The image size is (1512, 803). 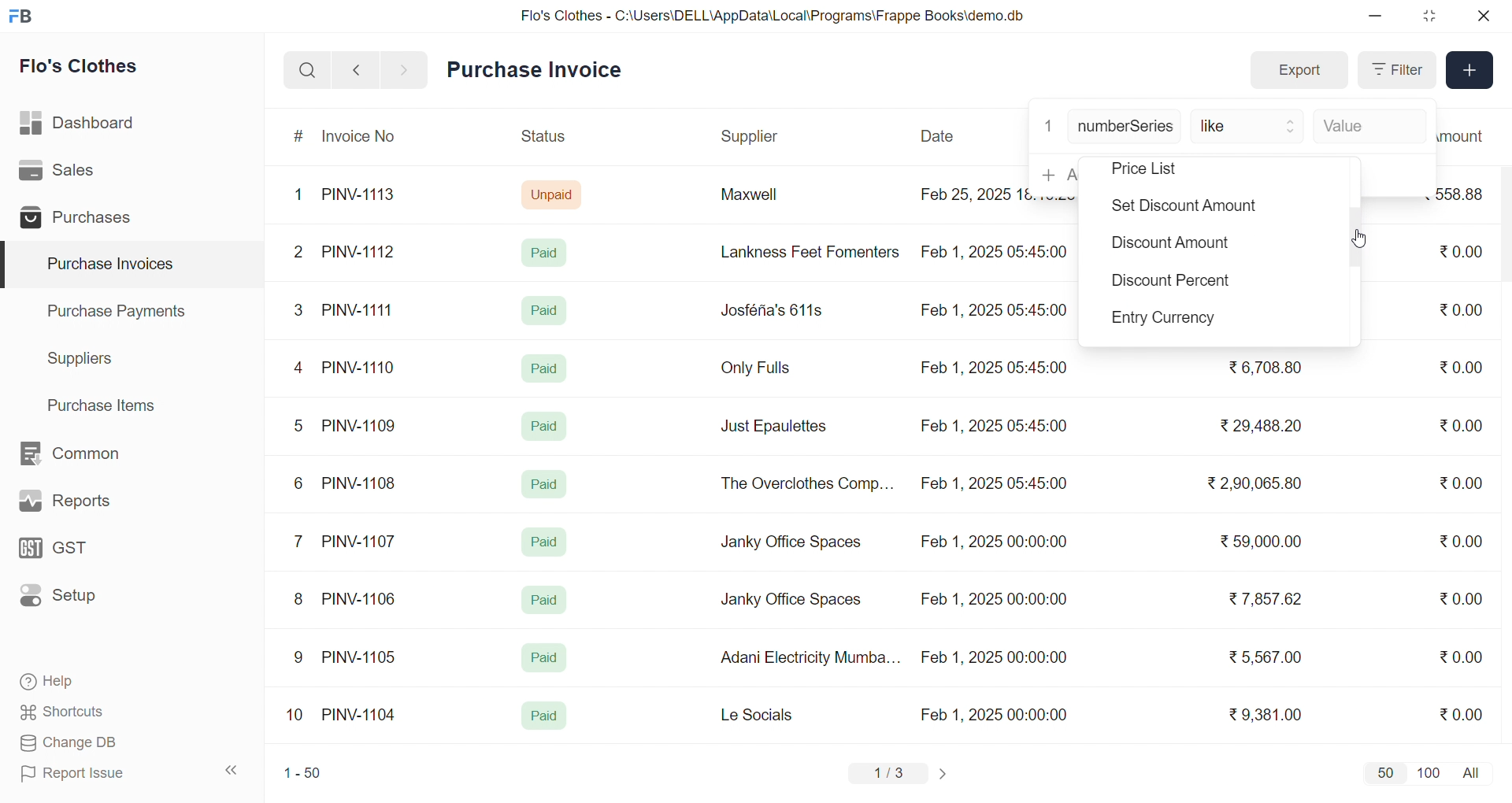 What do you see at coordinates (1469, 135) in the screenshot?
I see `Outstanding Amount` at bounding box center [1469, 135].